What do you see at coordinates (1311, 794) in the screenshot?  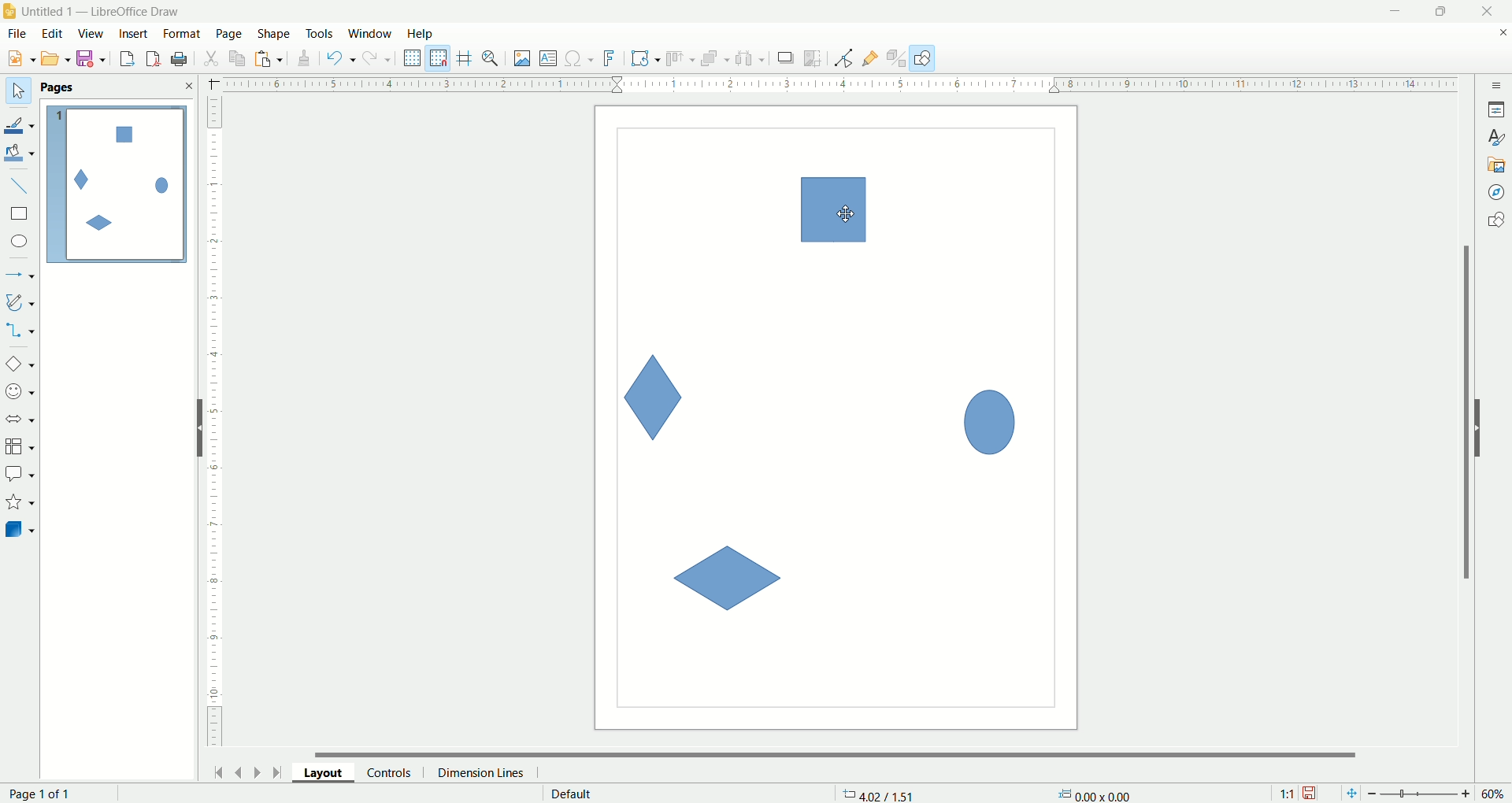 I see `save` at bounding box center [1311, 794].